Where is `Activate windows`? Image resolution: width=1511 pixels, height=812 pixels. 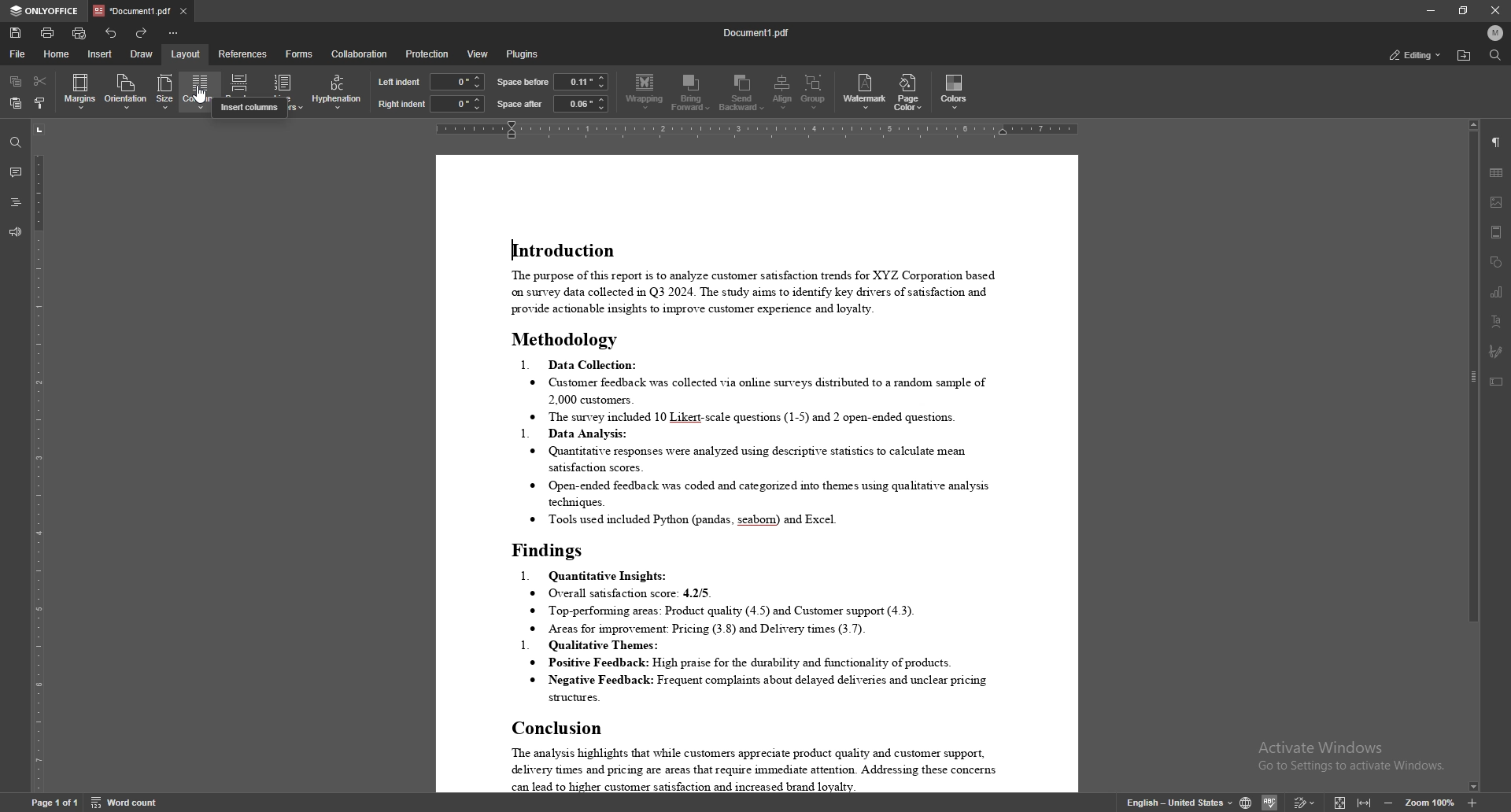 Activate windows is located at coordinates (1347, 758).